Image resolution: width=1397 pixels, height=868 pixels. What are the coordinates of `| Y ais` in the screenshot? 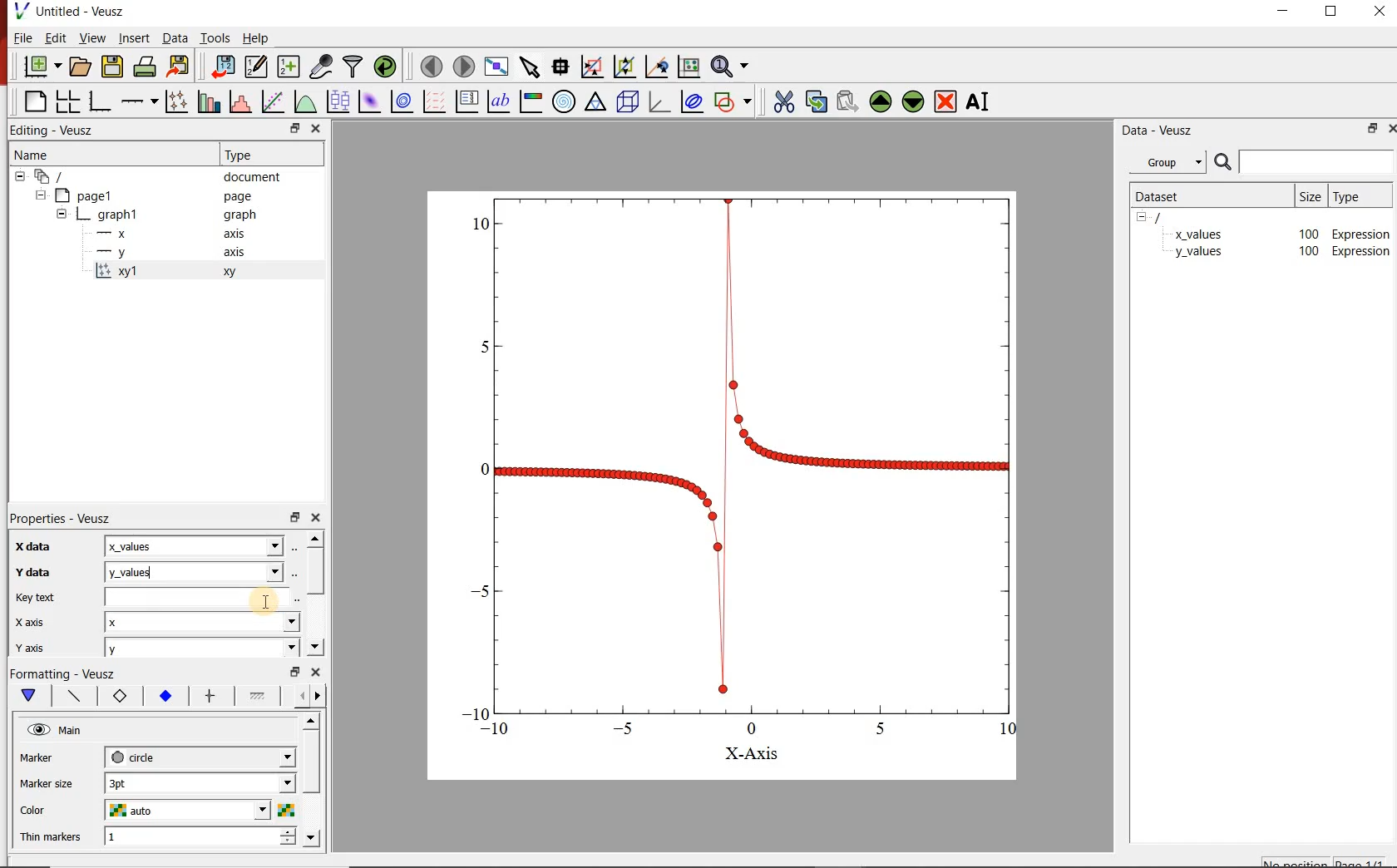 It's located at (37, 649).